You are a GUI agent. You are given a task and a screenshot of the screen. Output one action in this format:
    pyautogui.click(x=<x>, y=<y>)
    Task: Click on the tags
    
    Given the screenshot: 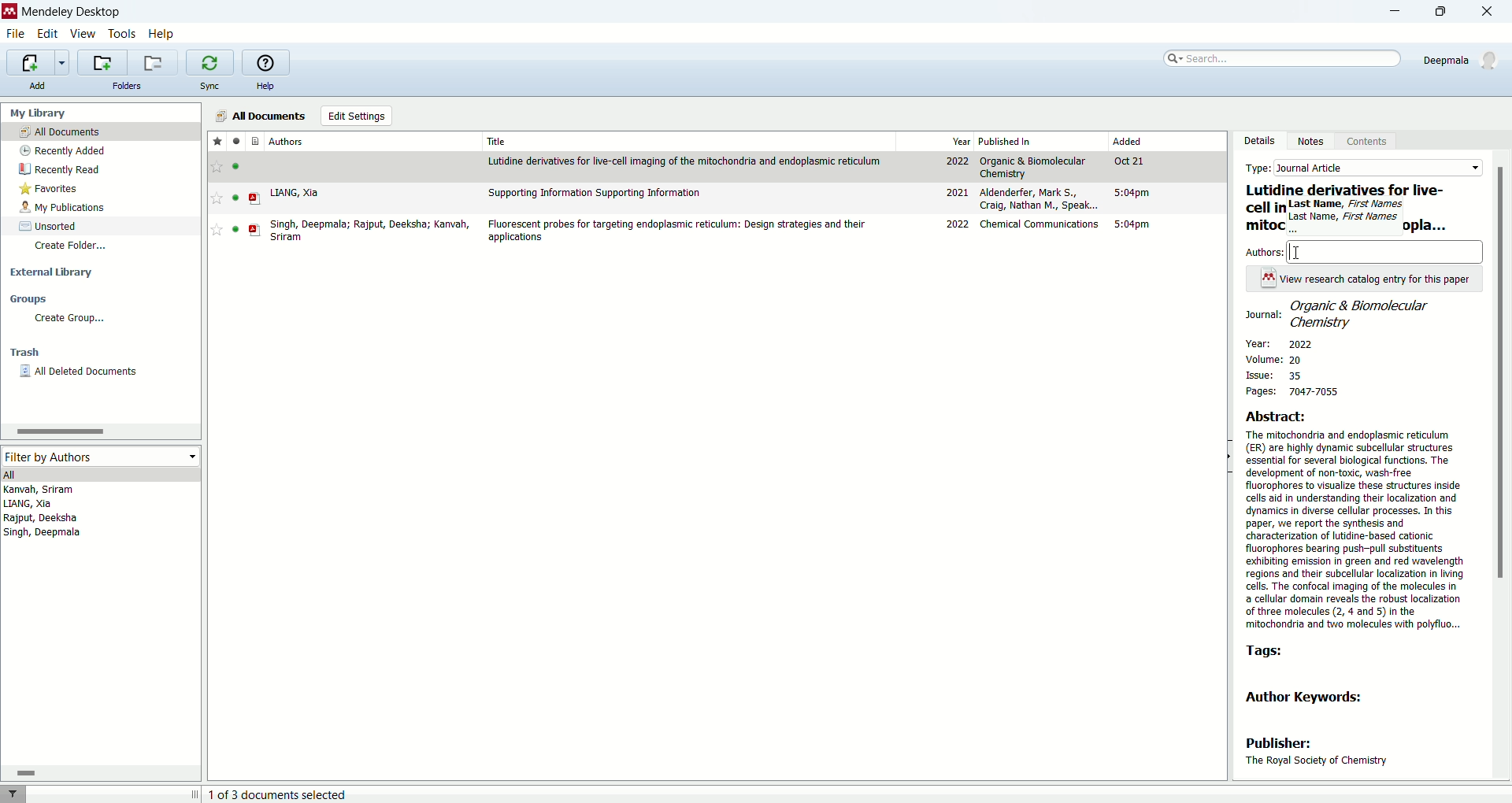 What is the action you would take?
    pyautogui.click(x=1266, y=652)
    